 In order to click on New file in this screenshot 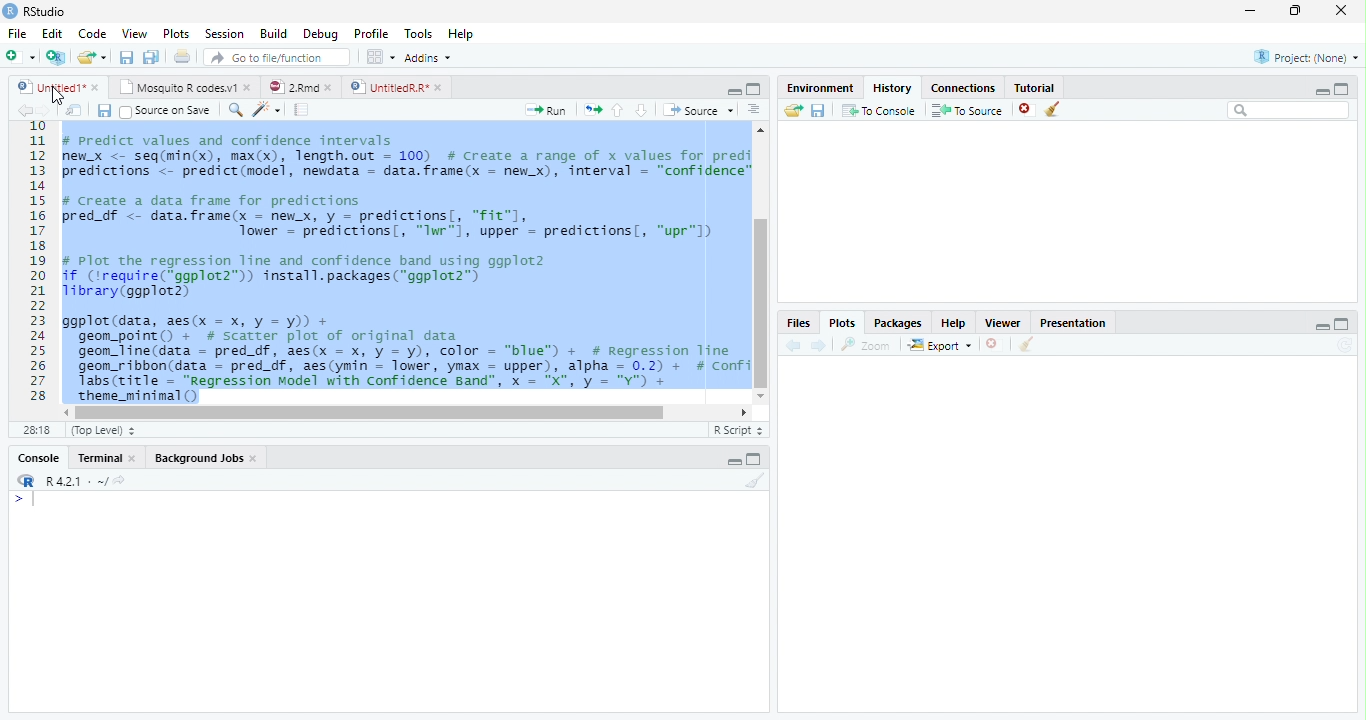, I will do `click(20, 57)`.